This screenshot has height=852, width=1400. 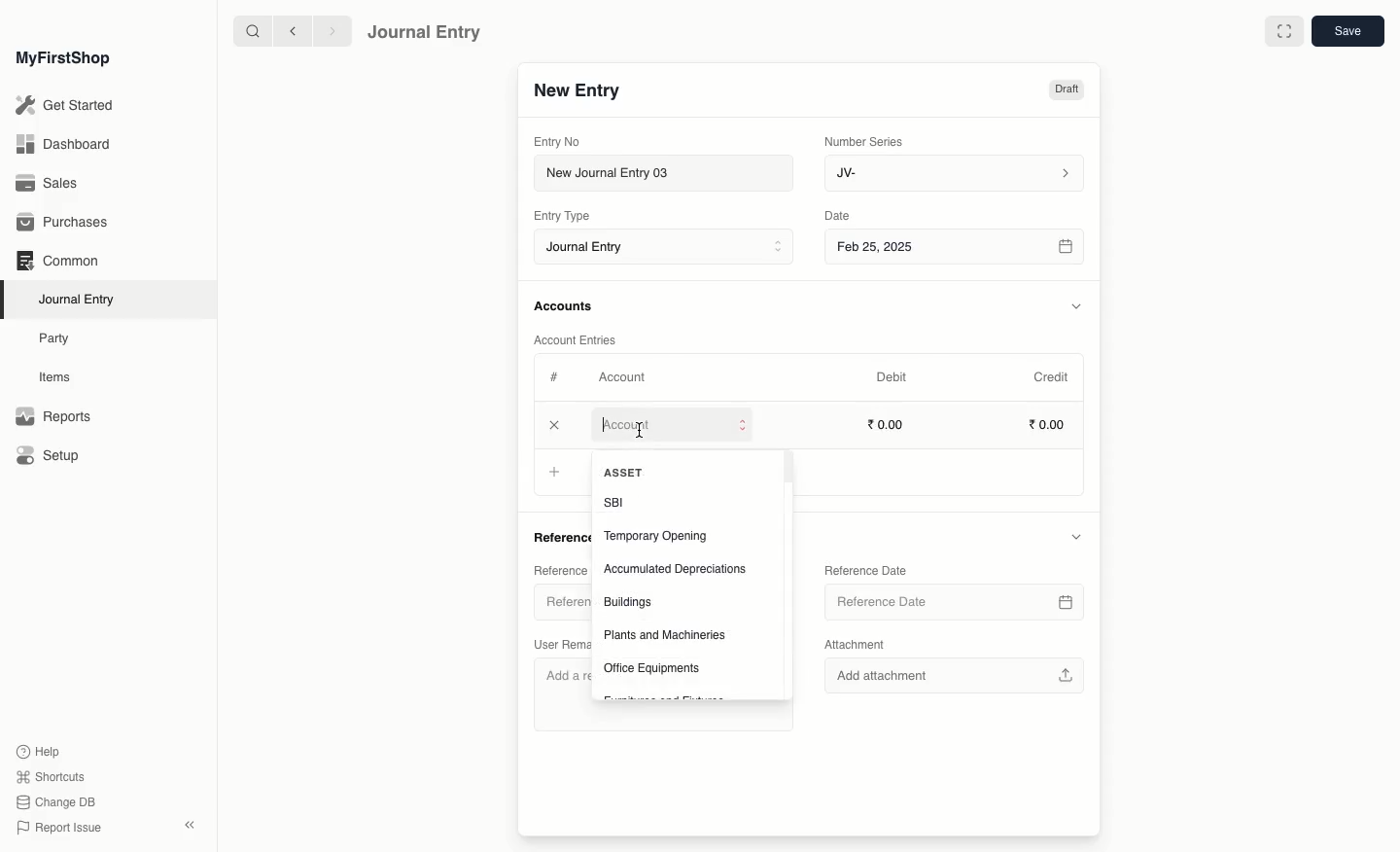 I want to click on Change DB, so click(x=56, y=803).